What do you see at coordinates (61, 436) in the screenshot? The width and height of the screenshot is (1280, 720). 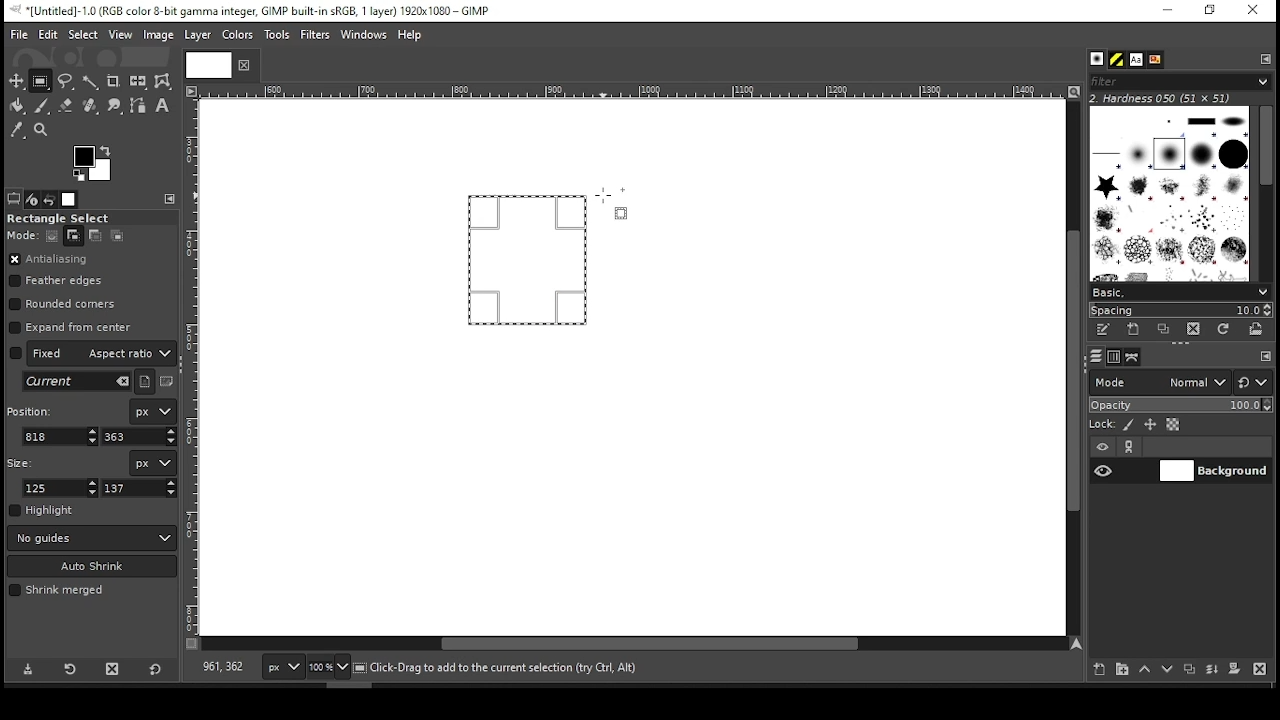 I see `x` at bounding box center [61, 436].